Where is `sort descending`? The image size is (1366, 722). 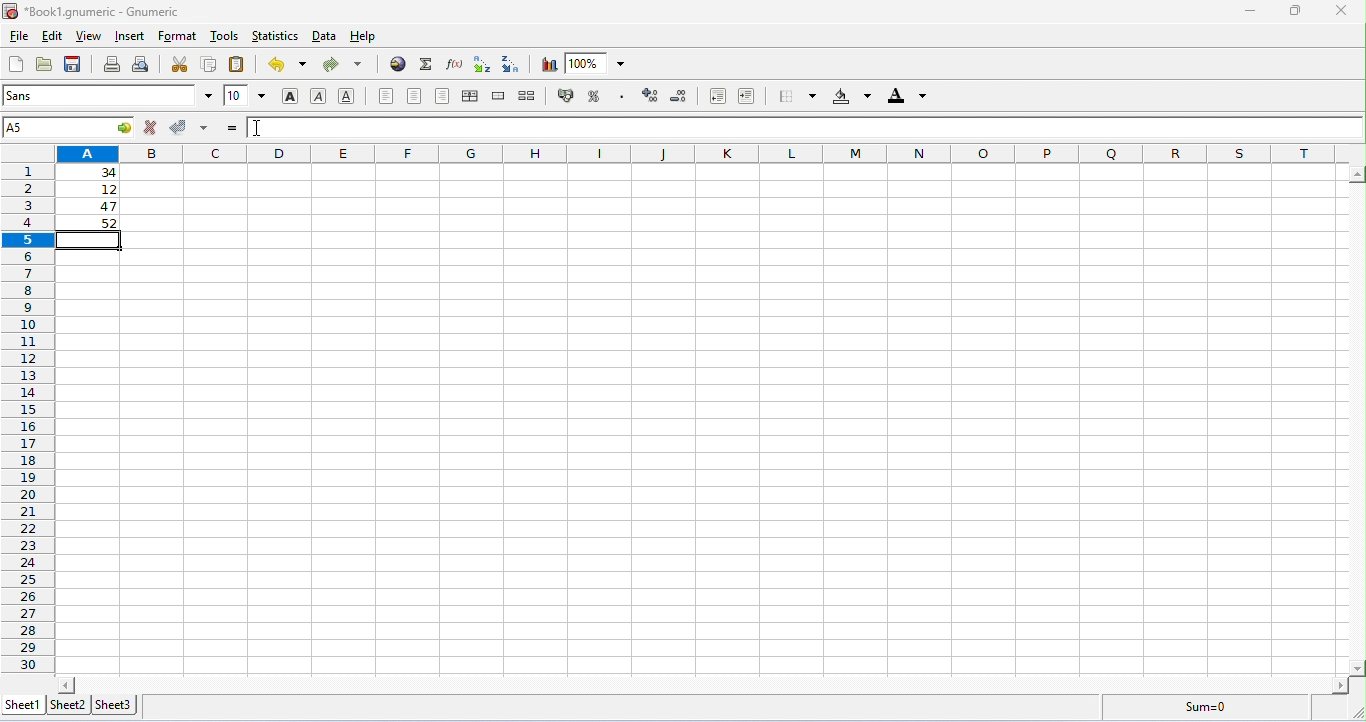
sort descending is located at coordinates (513, 64).